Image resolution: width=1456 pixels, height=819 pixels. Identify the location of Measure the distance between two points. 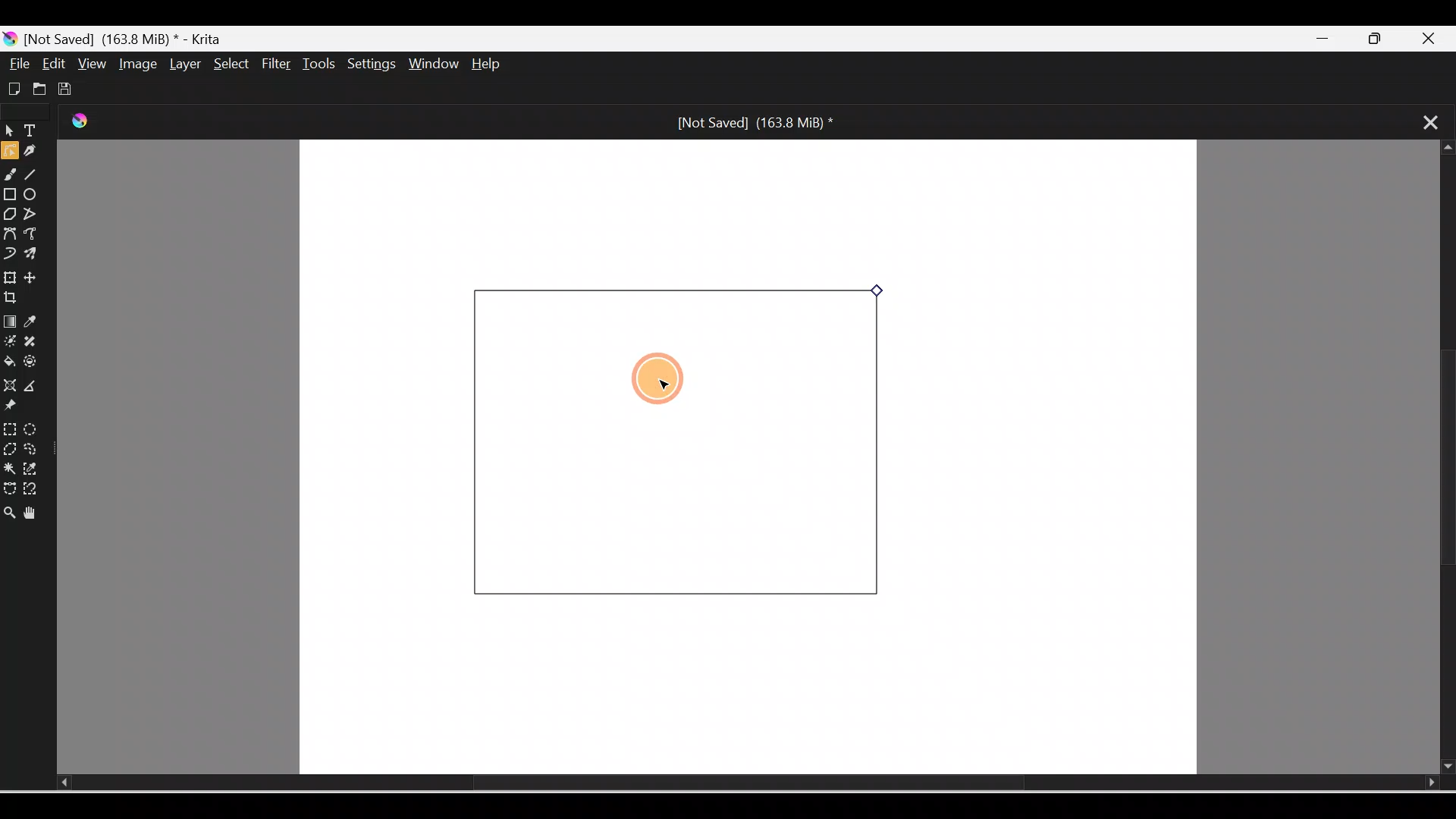
(36, 387).